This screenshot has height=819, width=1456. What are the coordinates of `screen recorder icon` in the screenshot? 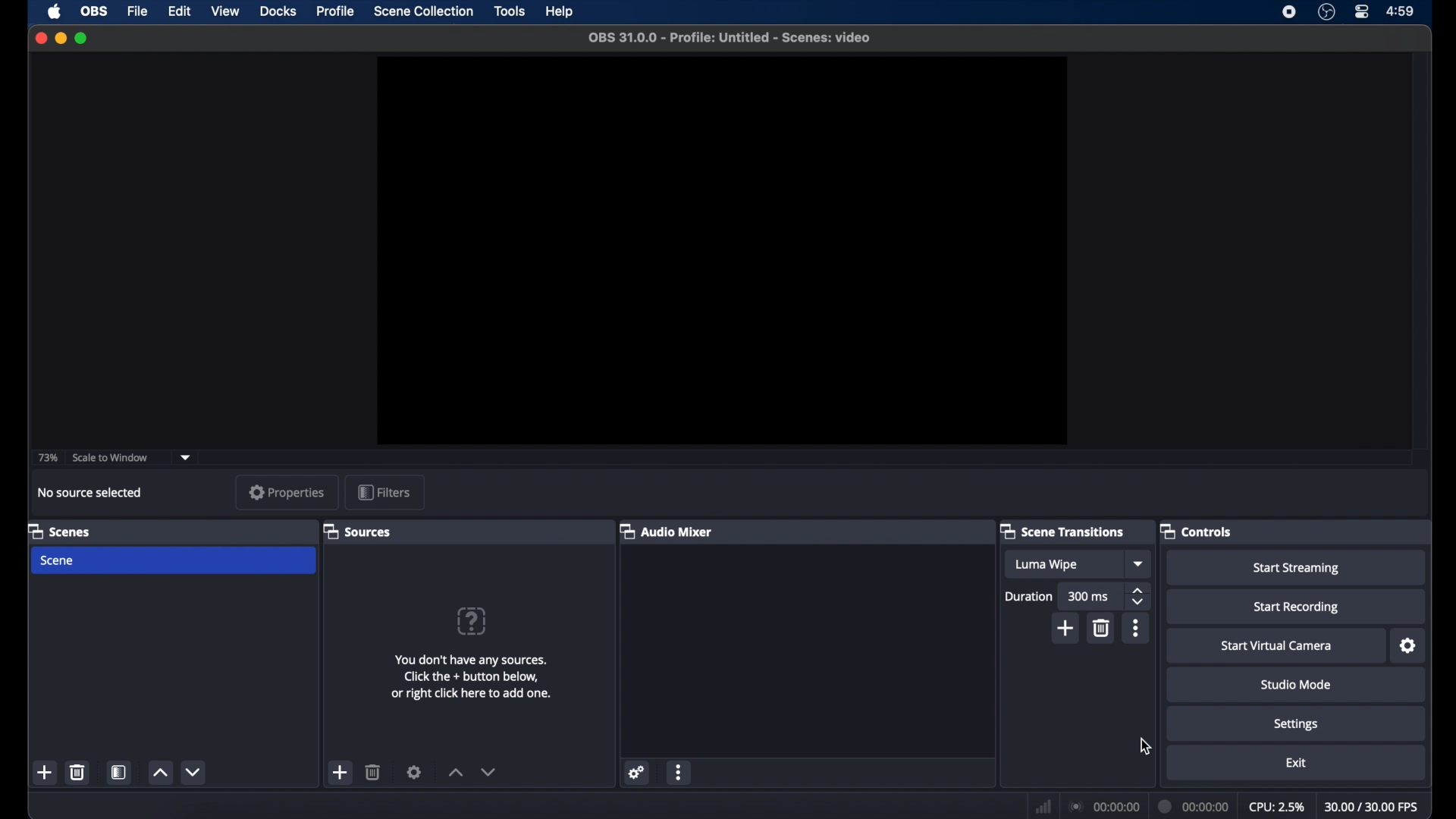 It's located at (1288, 12).